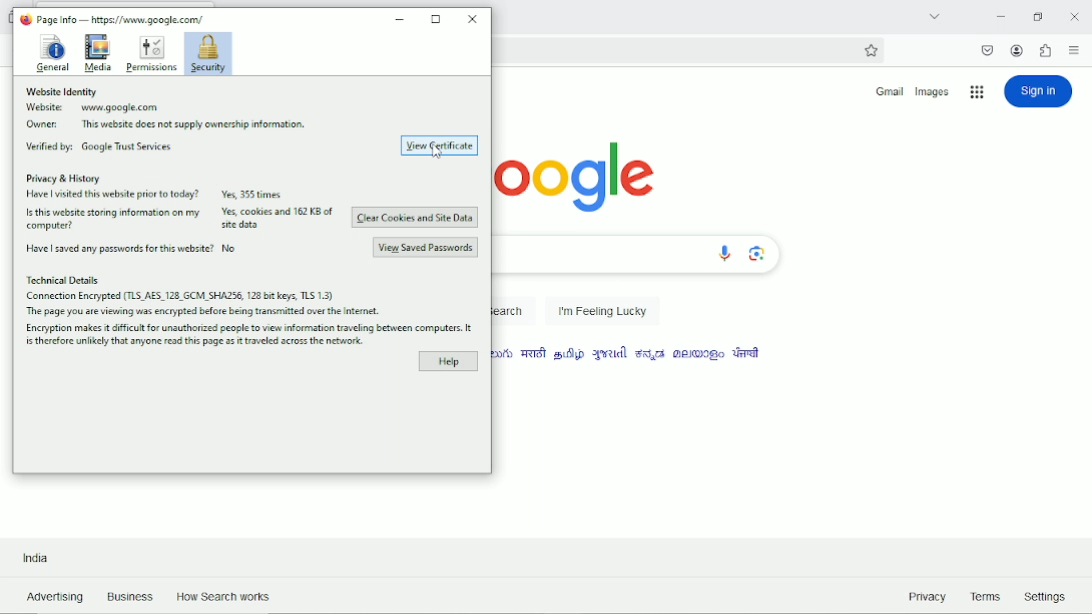 The height and width of the screenshot is (614, 1092). What do you see at coordinates (253, 195) in the screenshot?
I see `Yes, 355 times` at bounding box center [253, 195].